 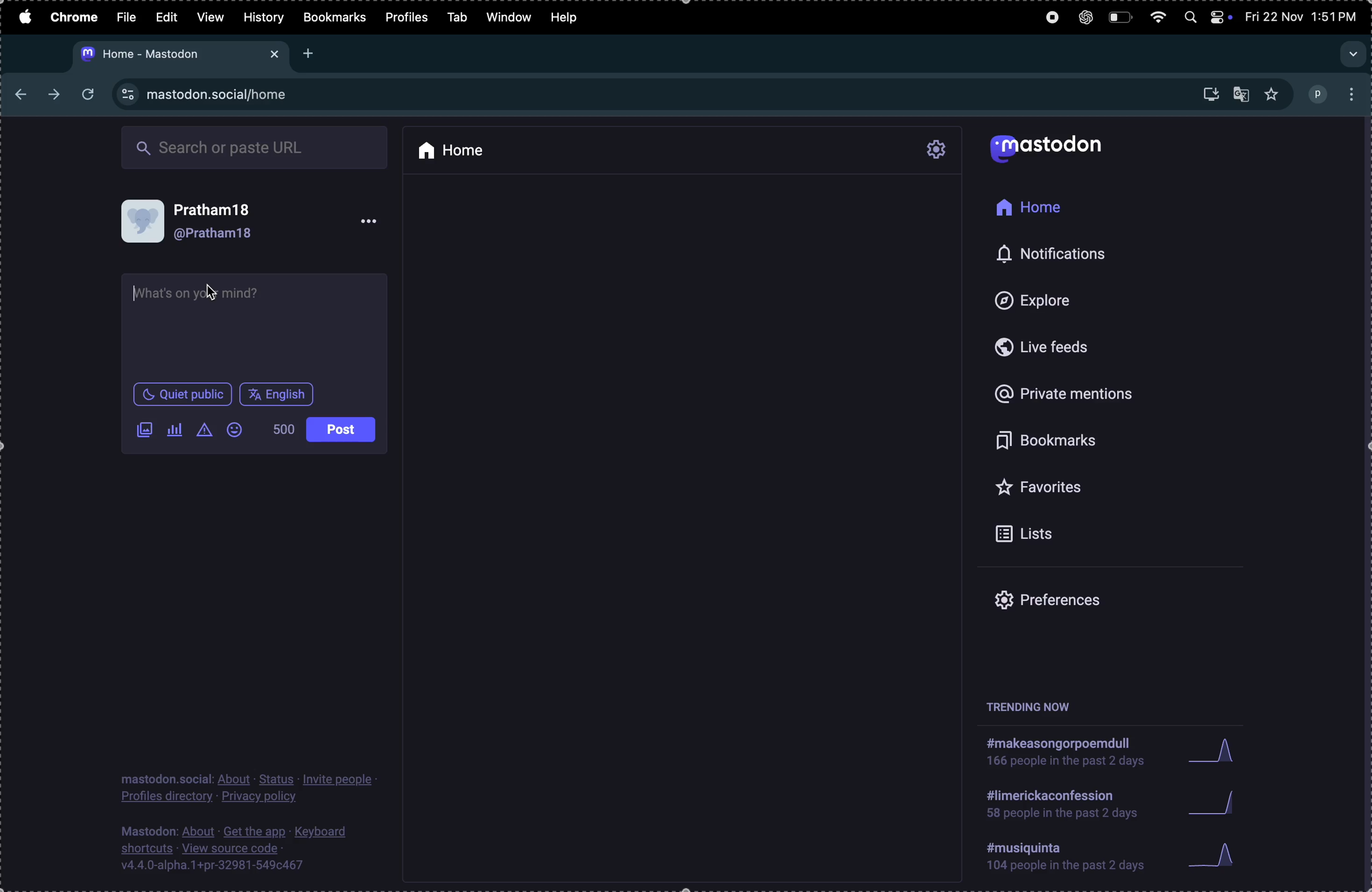 What do you see at coordinates (1071, 490) in the screenshot?
I see `favourites` at bounding box center [1071, 490].